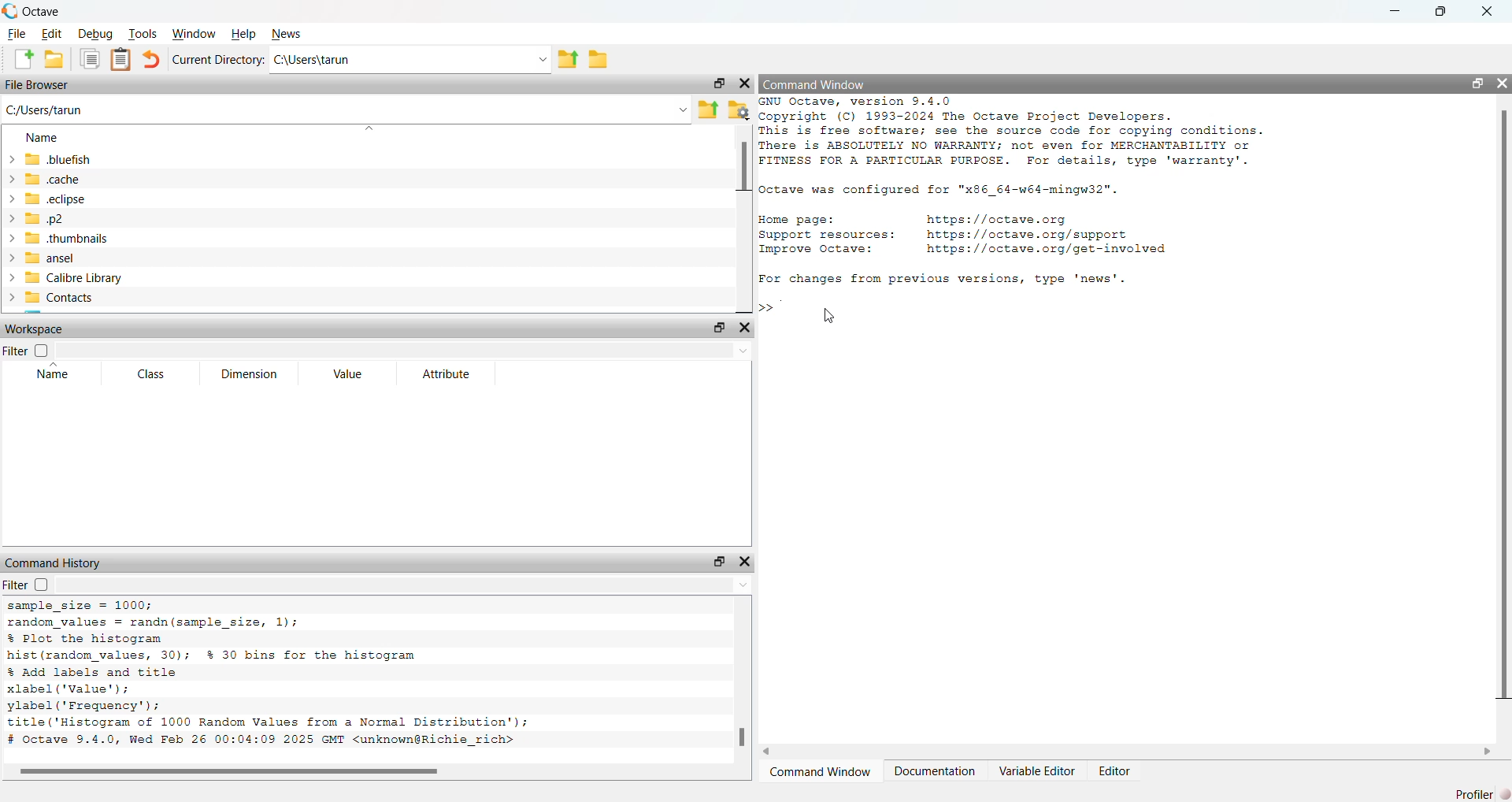 The image size is (1512, 802). Describe the element at coordinates (828, 315) in the screenshot. I see `cursor` at that location.